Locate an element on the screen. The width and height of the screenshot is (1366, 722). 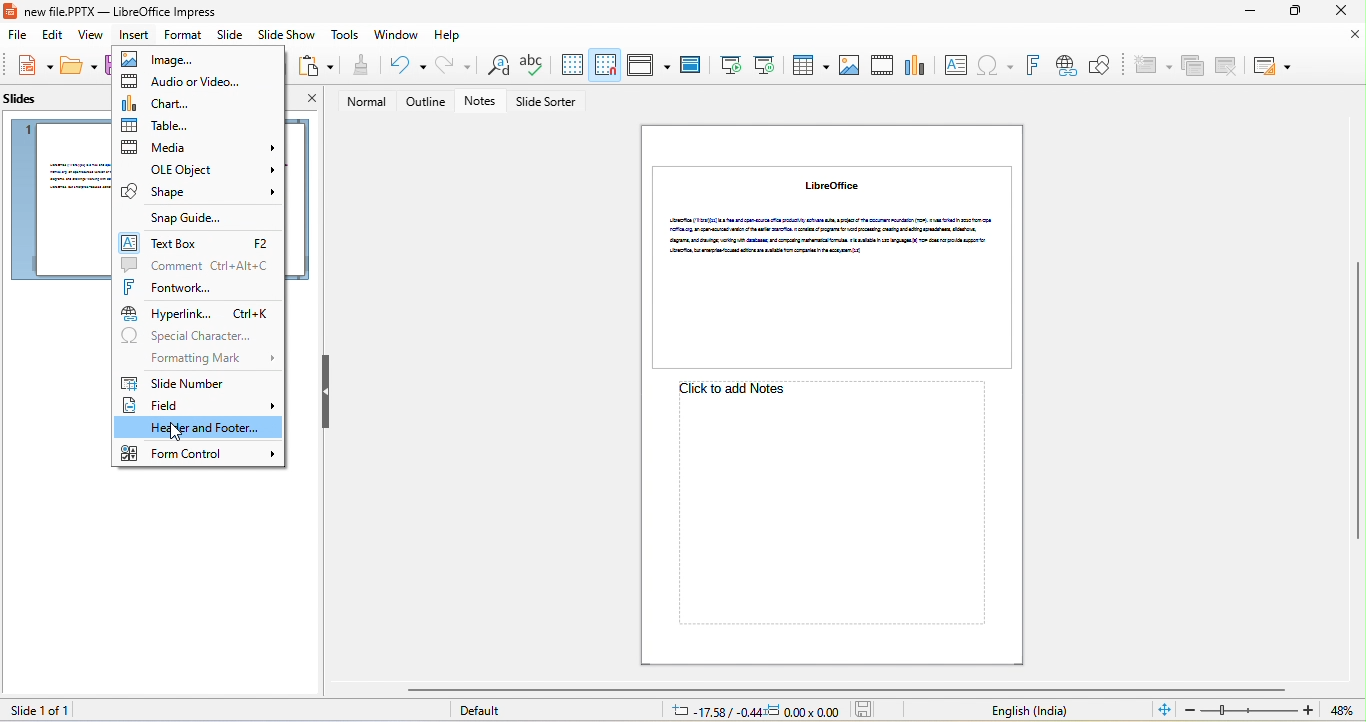
window is located at coordinates (397, 35).